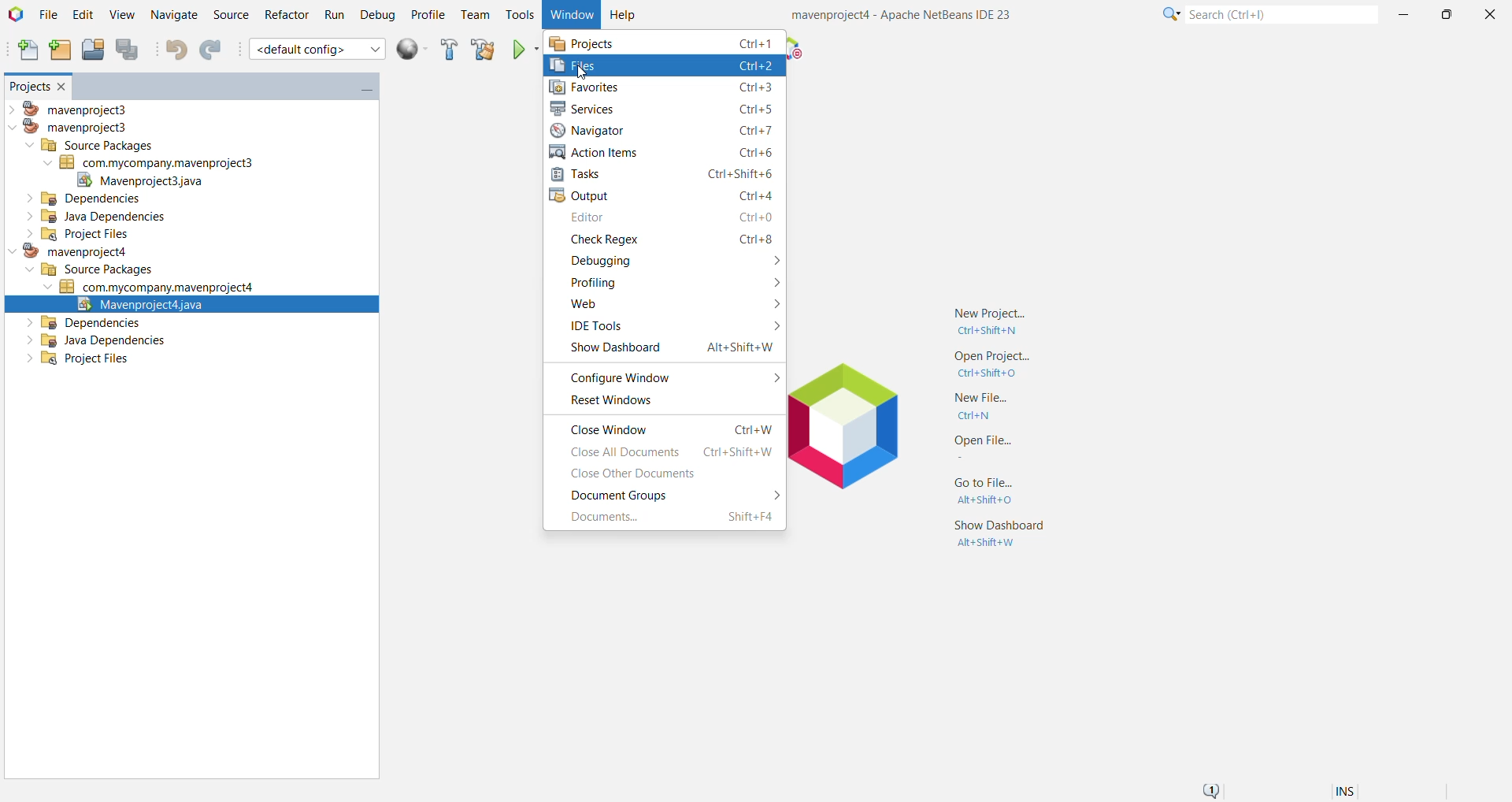 The width and height of the screenshot is (1512, 802). Describe the element at coordinates (670, 452) in the screenshot. I see `Close All Documents` at that location.